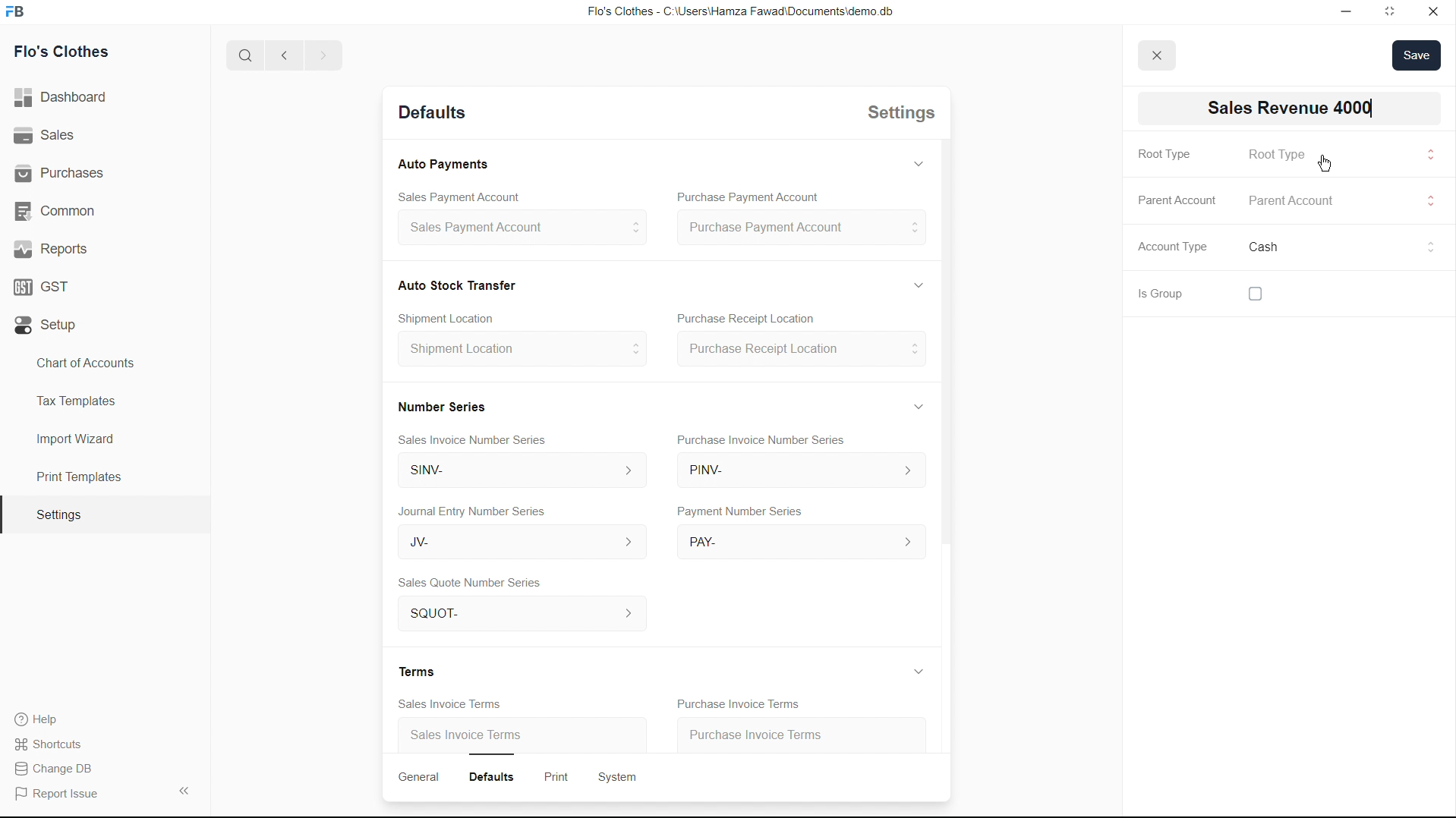 The width and height of the screenshot is (1456, 818). I want to click on Hide , so click(915, 283).